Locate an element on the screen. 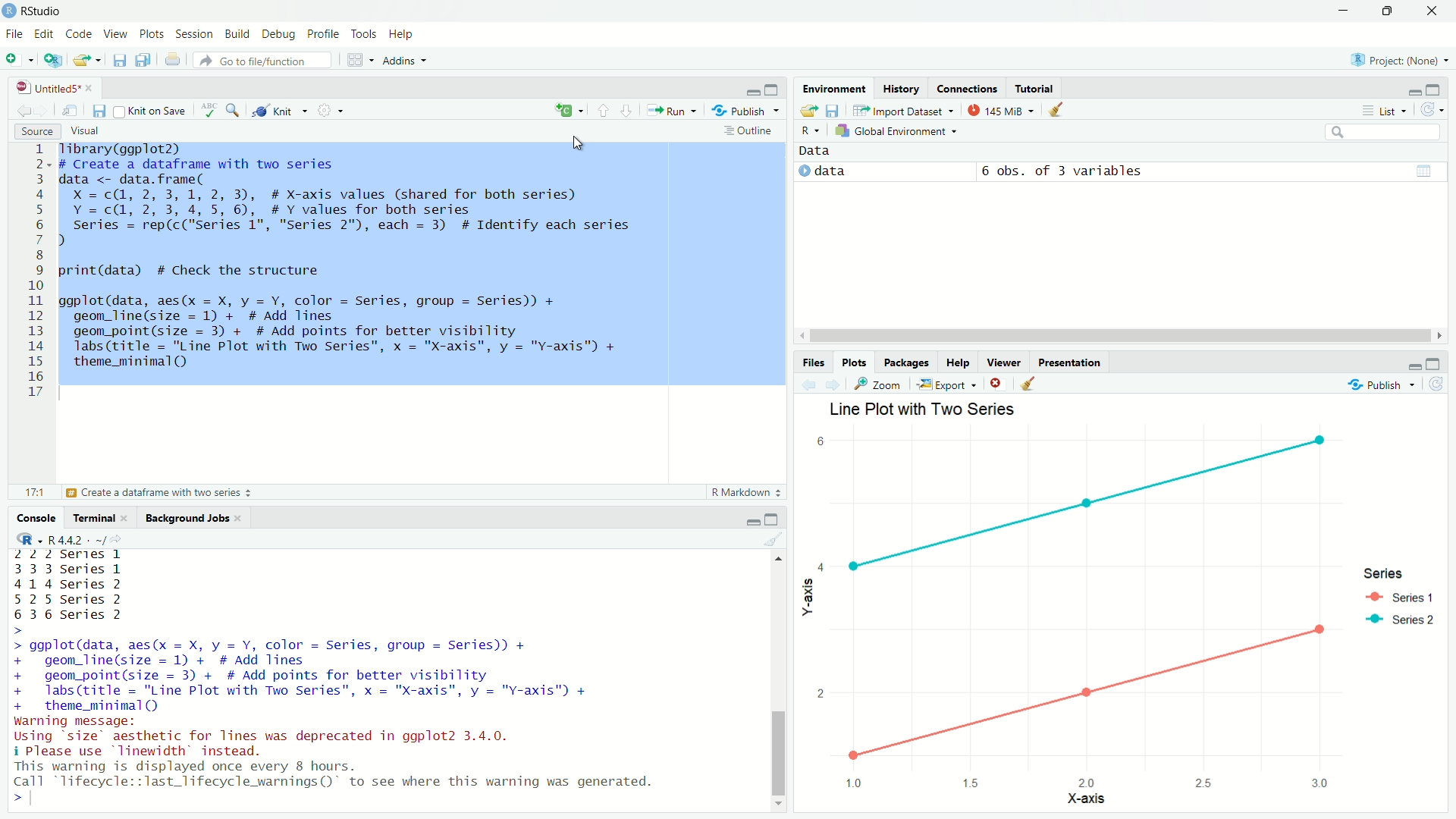 The width and height of the screenshot is (1456, 819). Create a project is located at coordinates (53, 60).